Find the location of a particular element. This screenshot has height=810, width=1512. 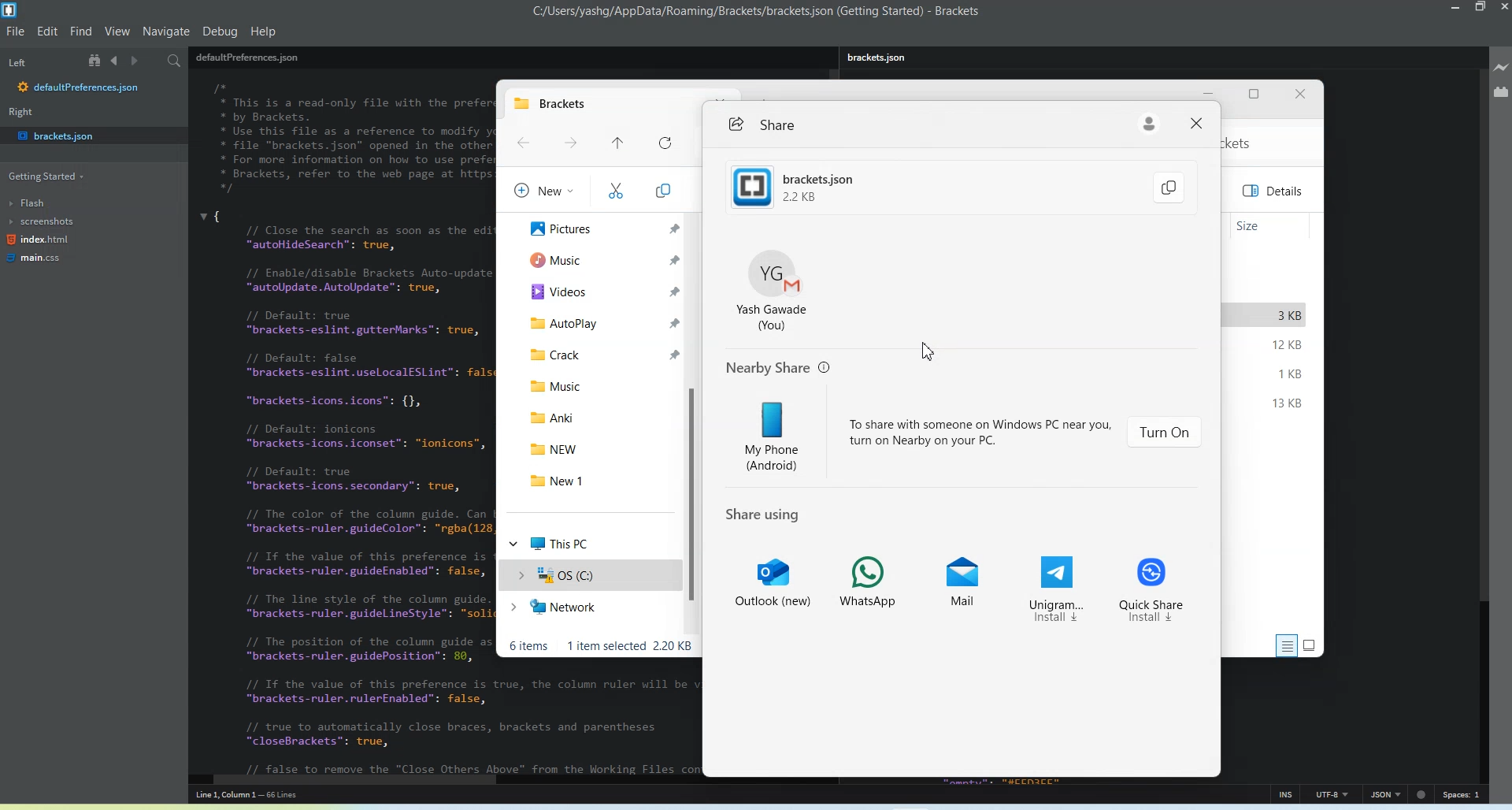

Pictures is located at coordinates (599, 229).